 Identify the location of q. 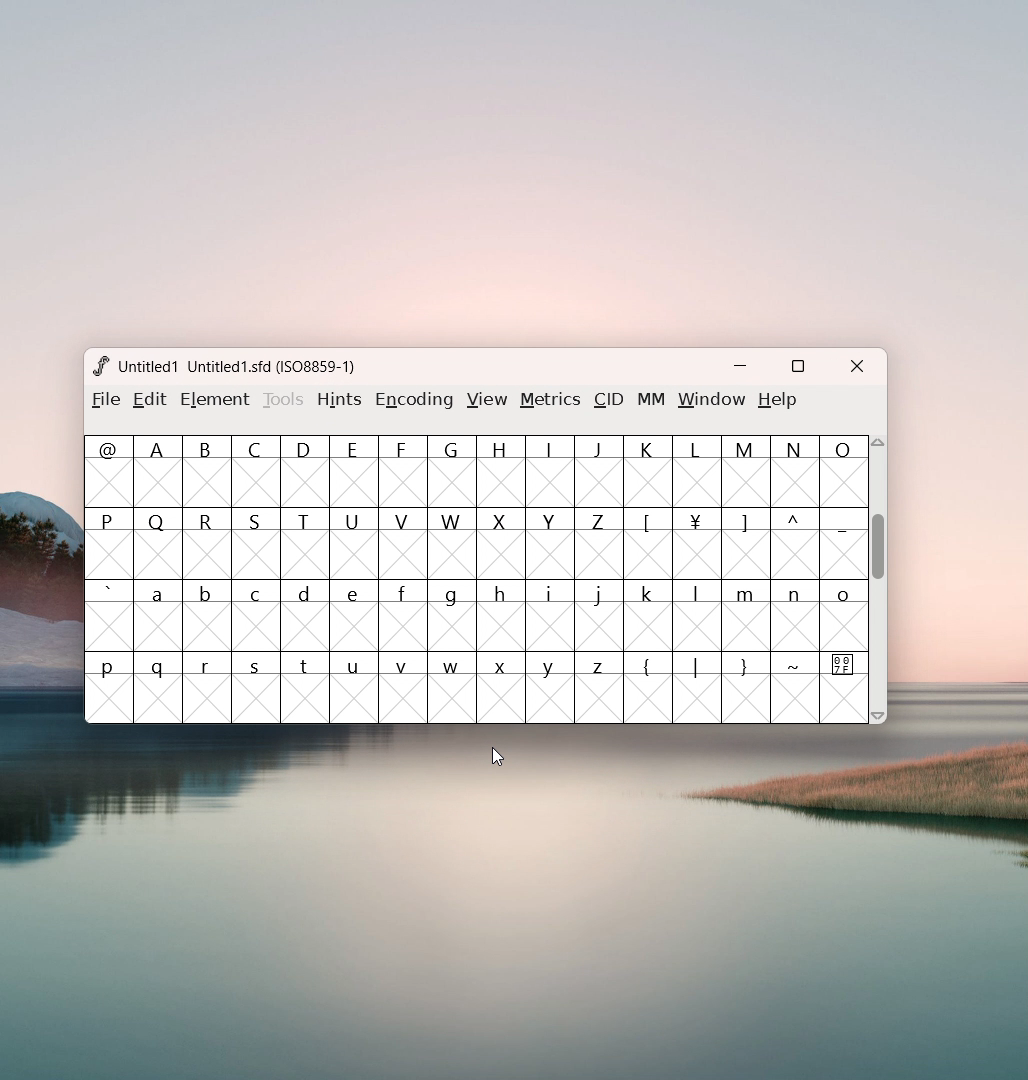
(159, 688).